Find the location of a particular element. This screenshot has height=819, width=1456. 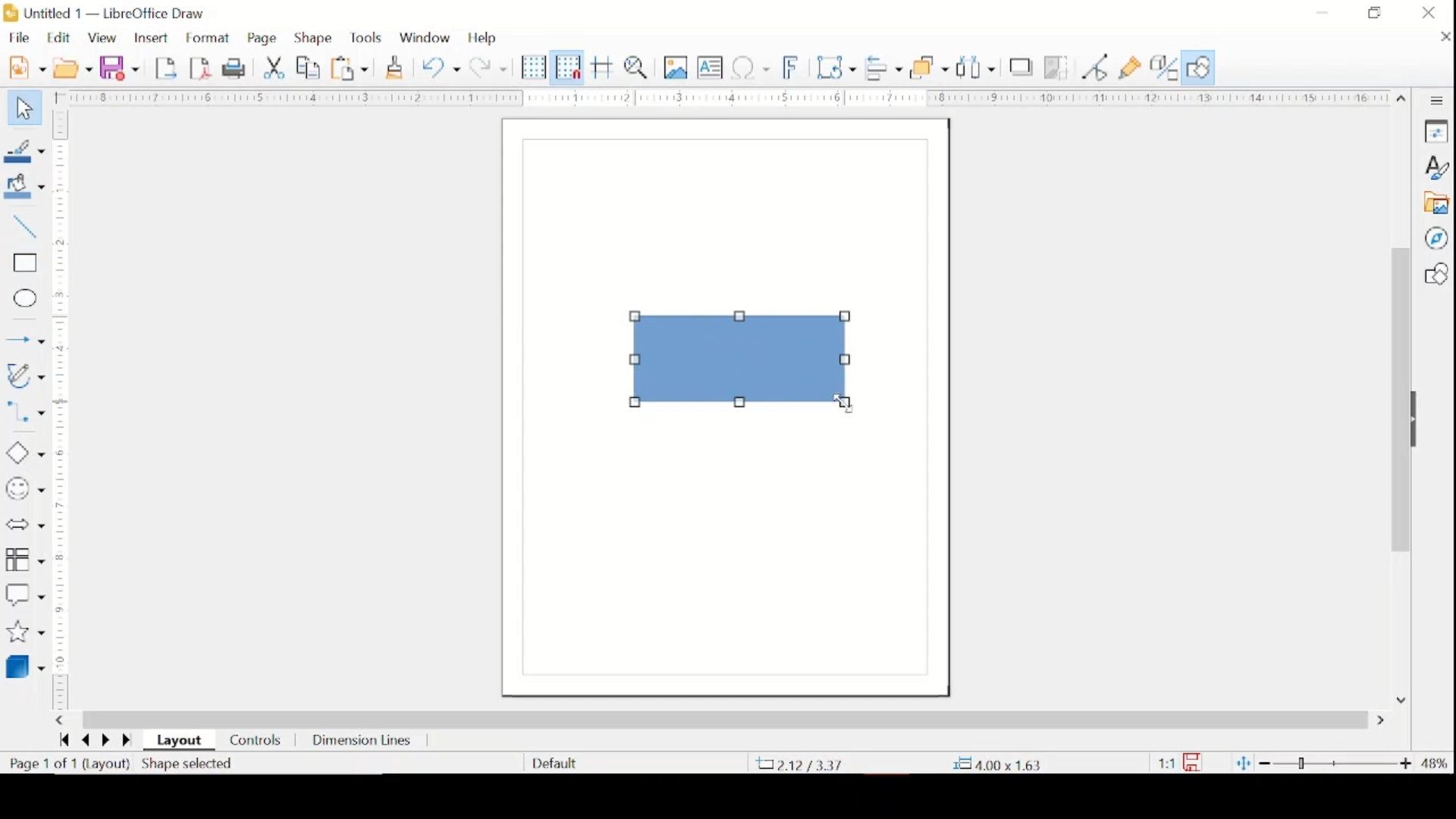

navigator is located at coordinates (1436, 238).